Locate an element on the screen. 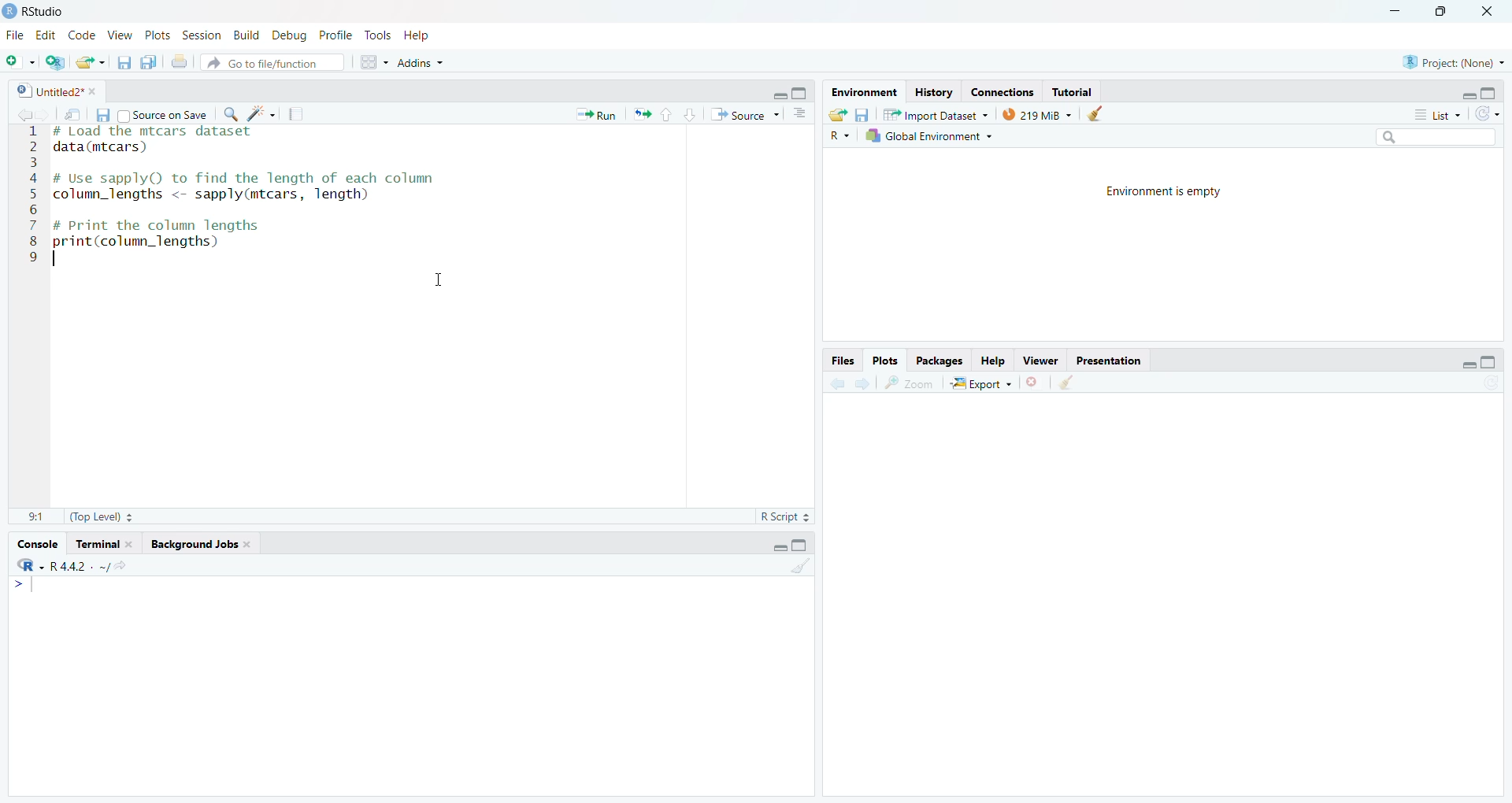  Full Height is located at coordinates (1490, 361).